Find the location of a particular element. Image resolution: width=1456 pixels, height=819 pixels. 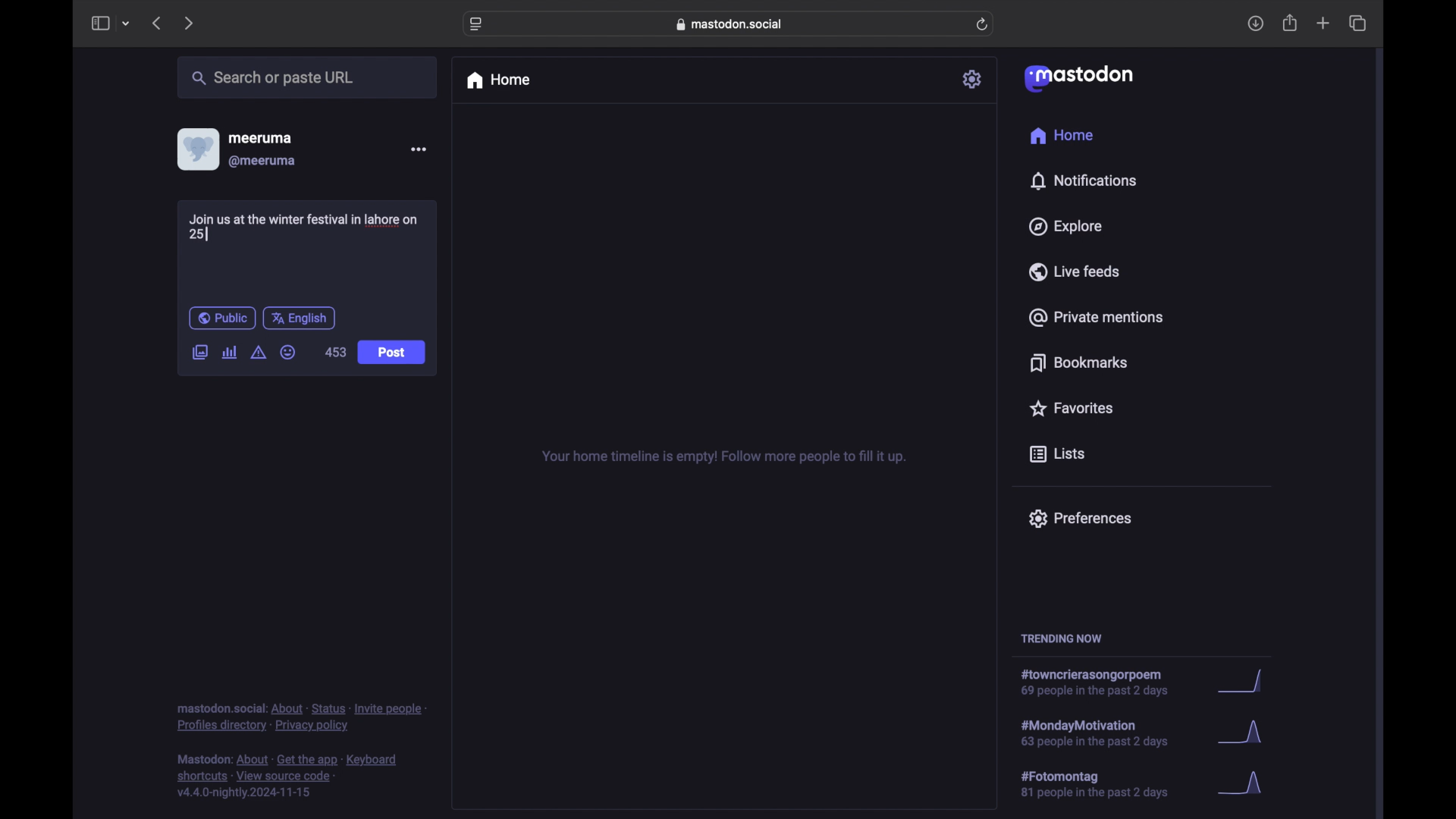

share is located at coordinates (1291, 24).